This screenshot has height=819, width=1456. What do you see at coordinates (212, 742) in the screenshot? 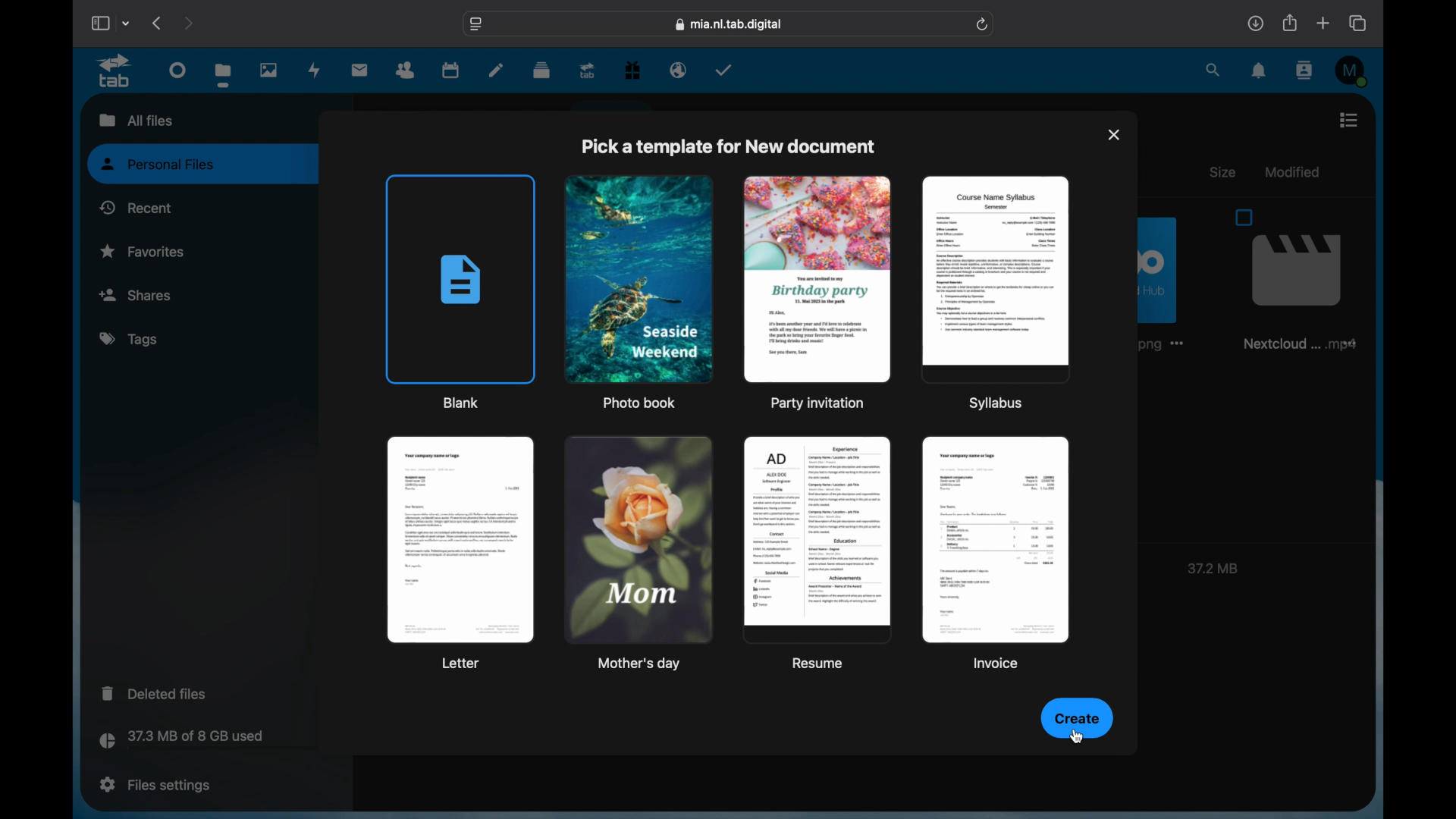
I see `storage` at bounding box center [212, 742].